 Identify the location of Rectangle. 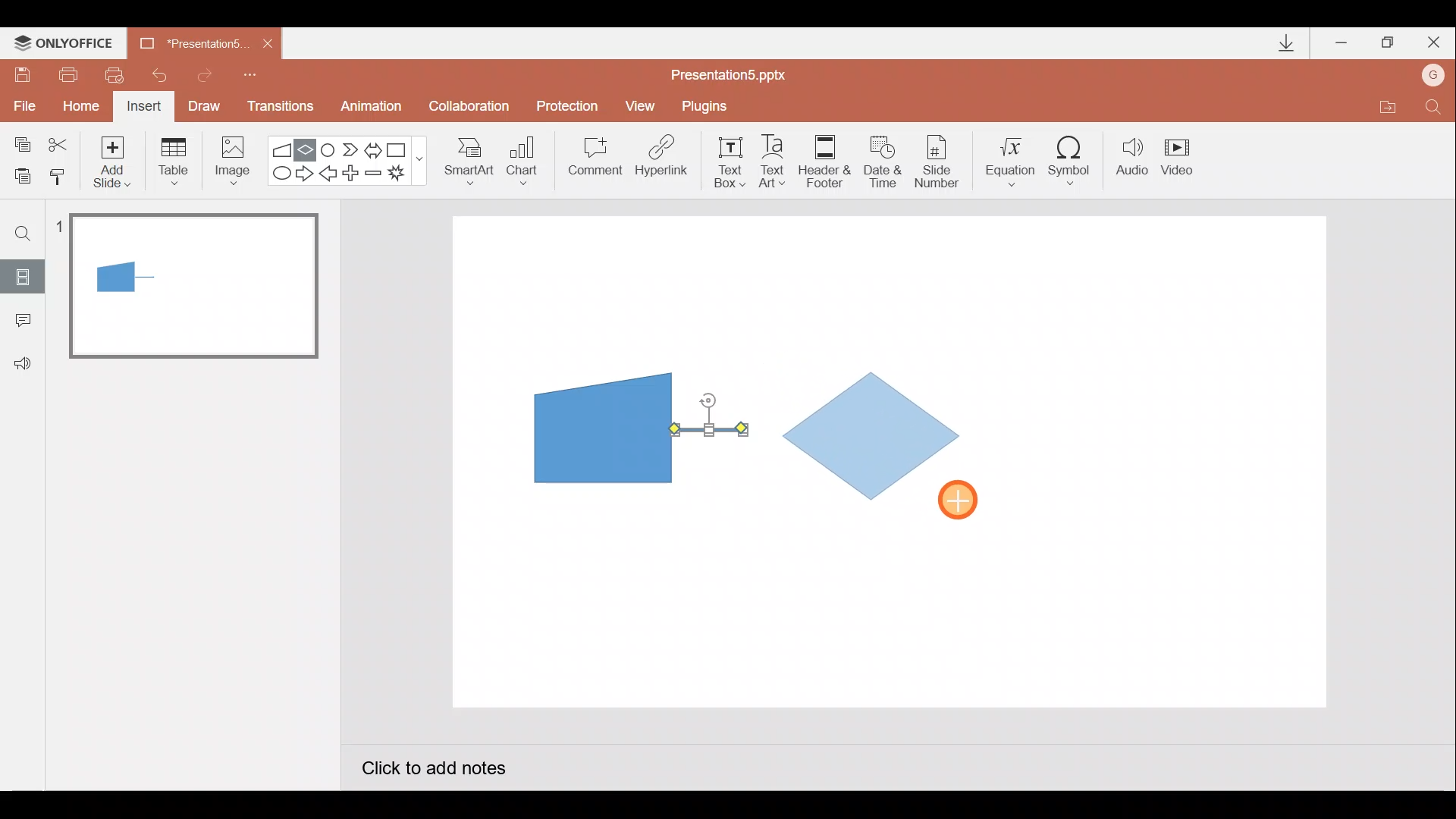
(400, 149).